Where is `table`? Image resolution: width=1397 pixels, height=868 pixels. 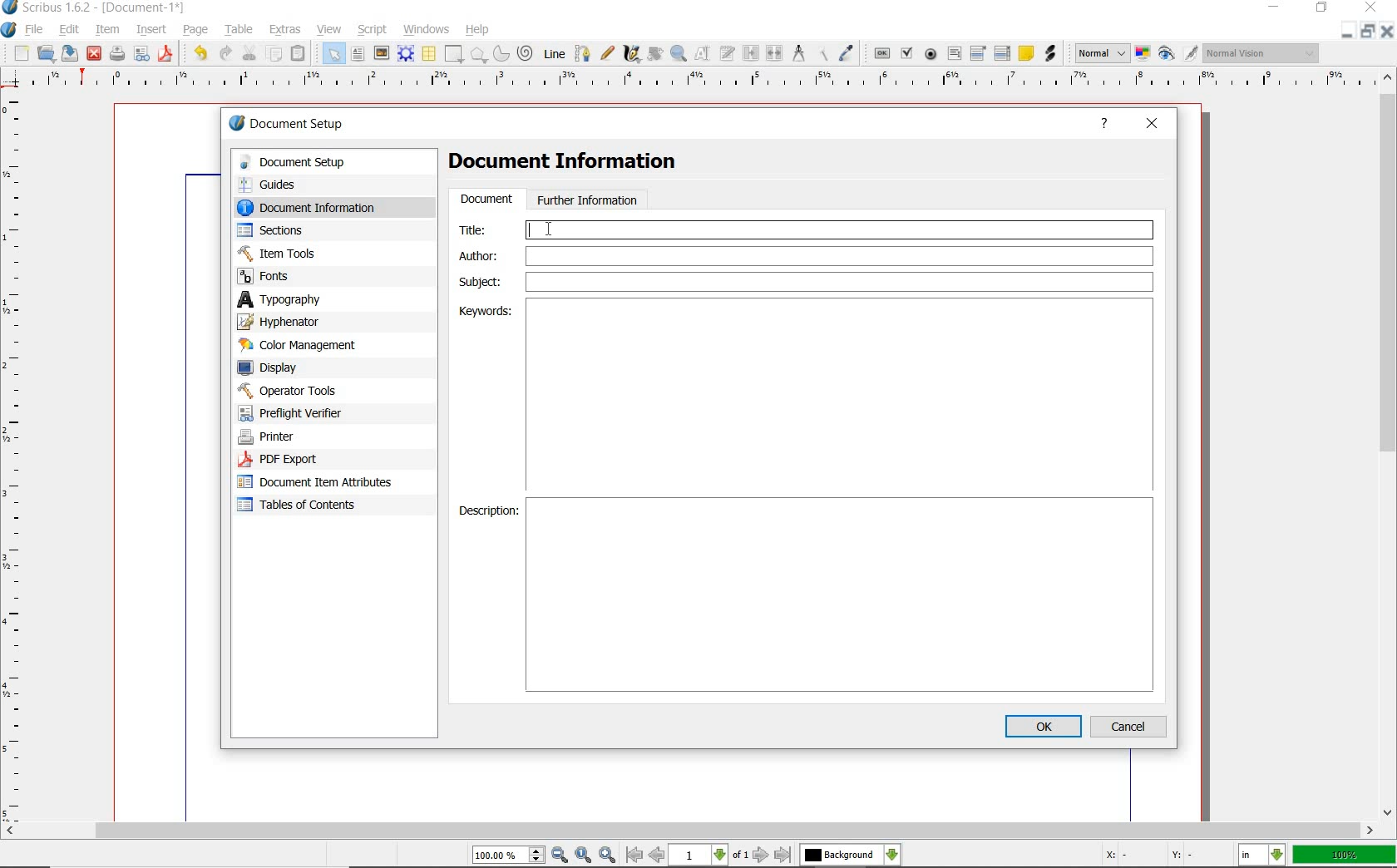 table is located at coordinates (428, 53).